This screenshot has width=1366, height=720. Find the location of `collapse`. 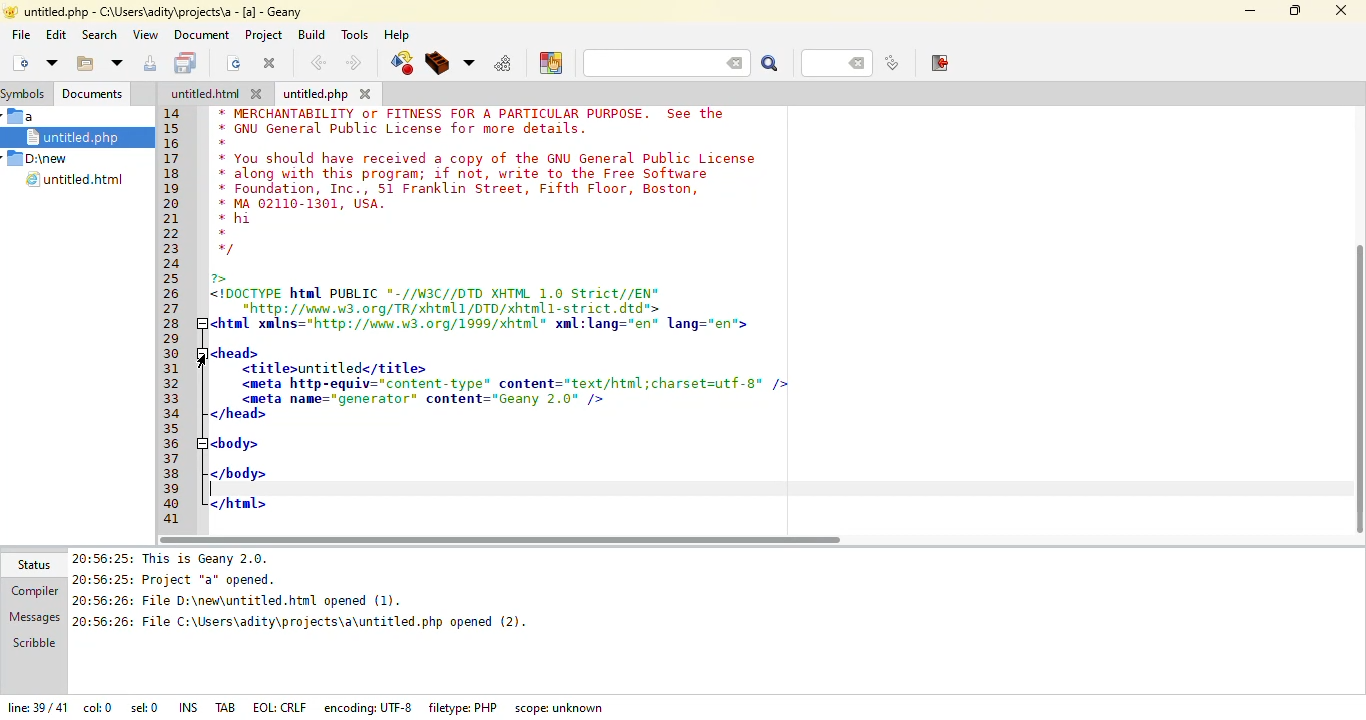

collapse is located at coordinates (207, 444).